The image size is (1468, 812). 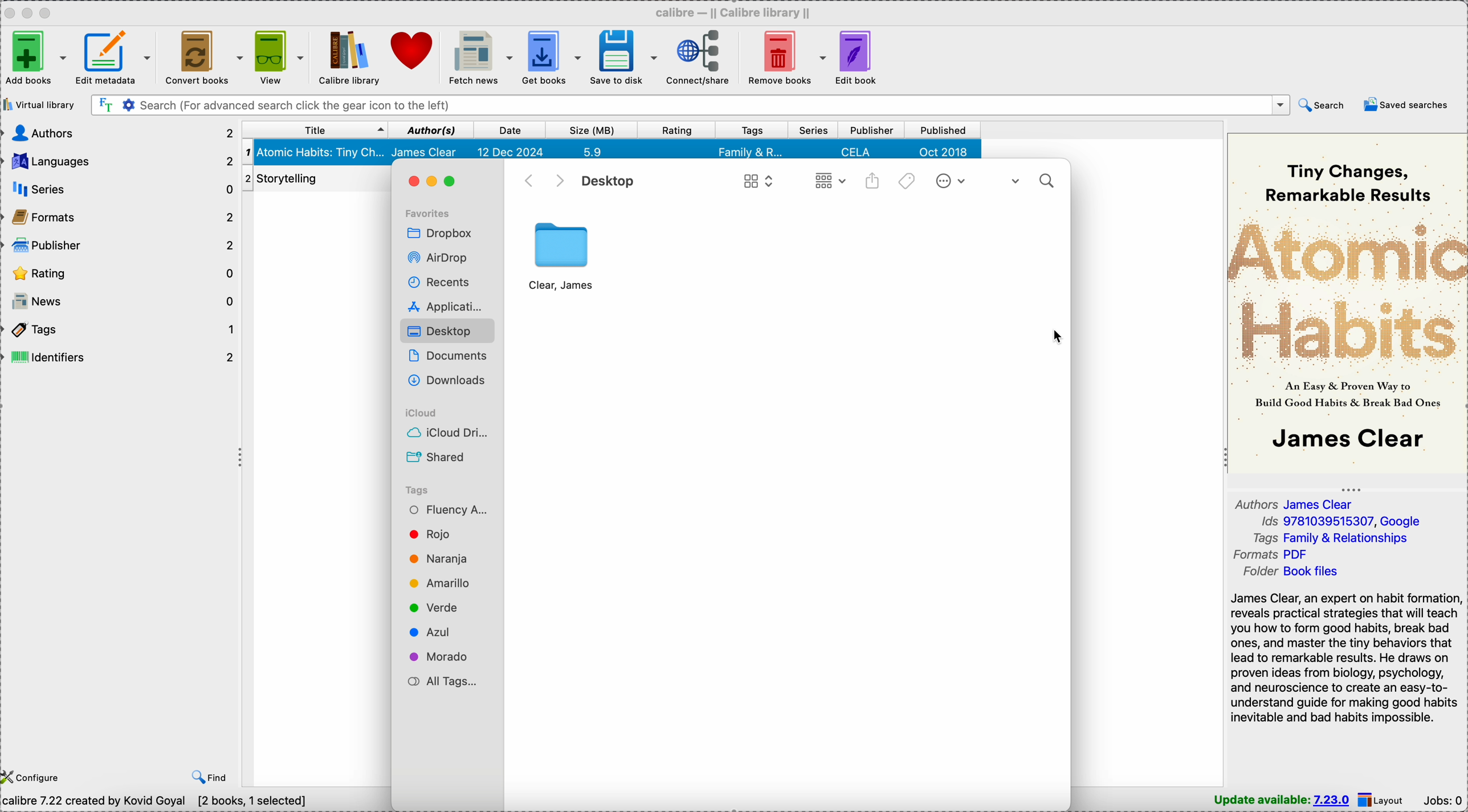 I want to click on title, so click(x=313, y=130).